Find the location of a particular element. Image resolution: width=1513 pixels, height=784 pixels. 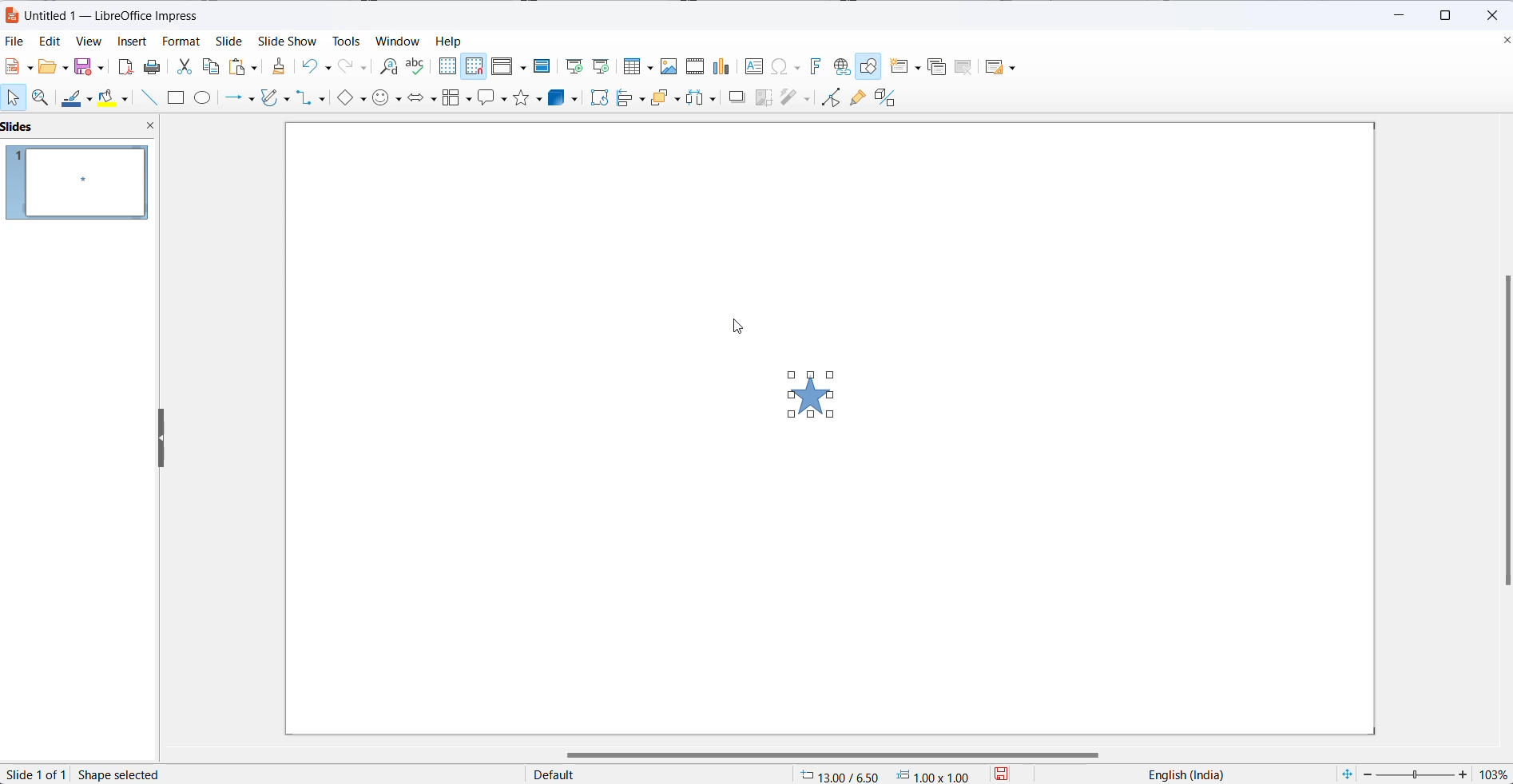

insert audio and video is located at coordinates (693, 66).